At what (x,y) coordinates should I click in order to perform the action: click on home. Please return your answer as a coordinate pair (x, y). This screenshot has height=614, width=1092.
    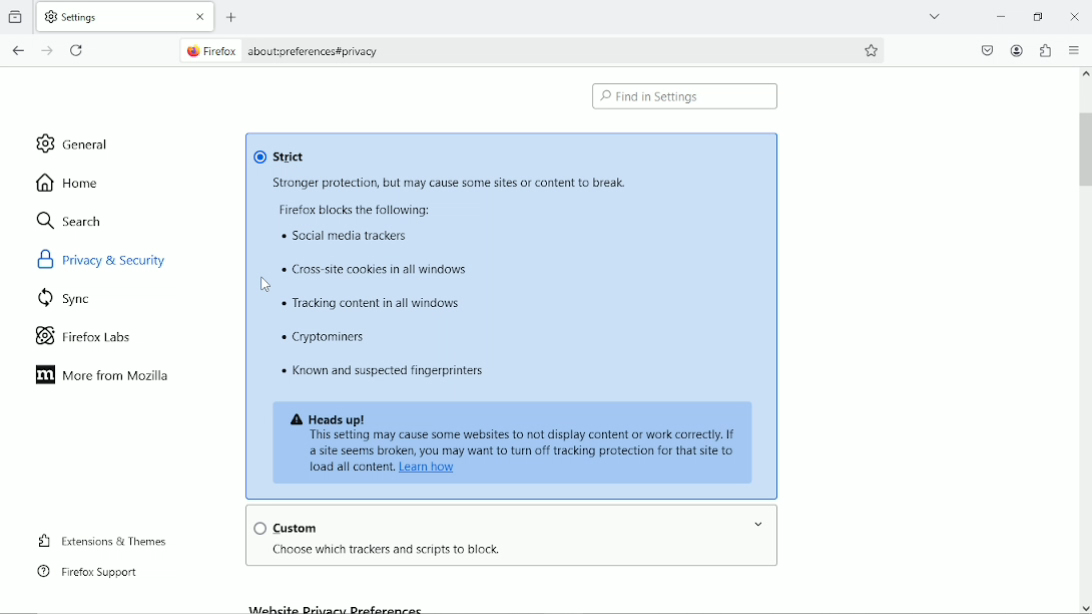
    Looking at the image, I should click on (67, 183).